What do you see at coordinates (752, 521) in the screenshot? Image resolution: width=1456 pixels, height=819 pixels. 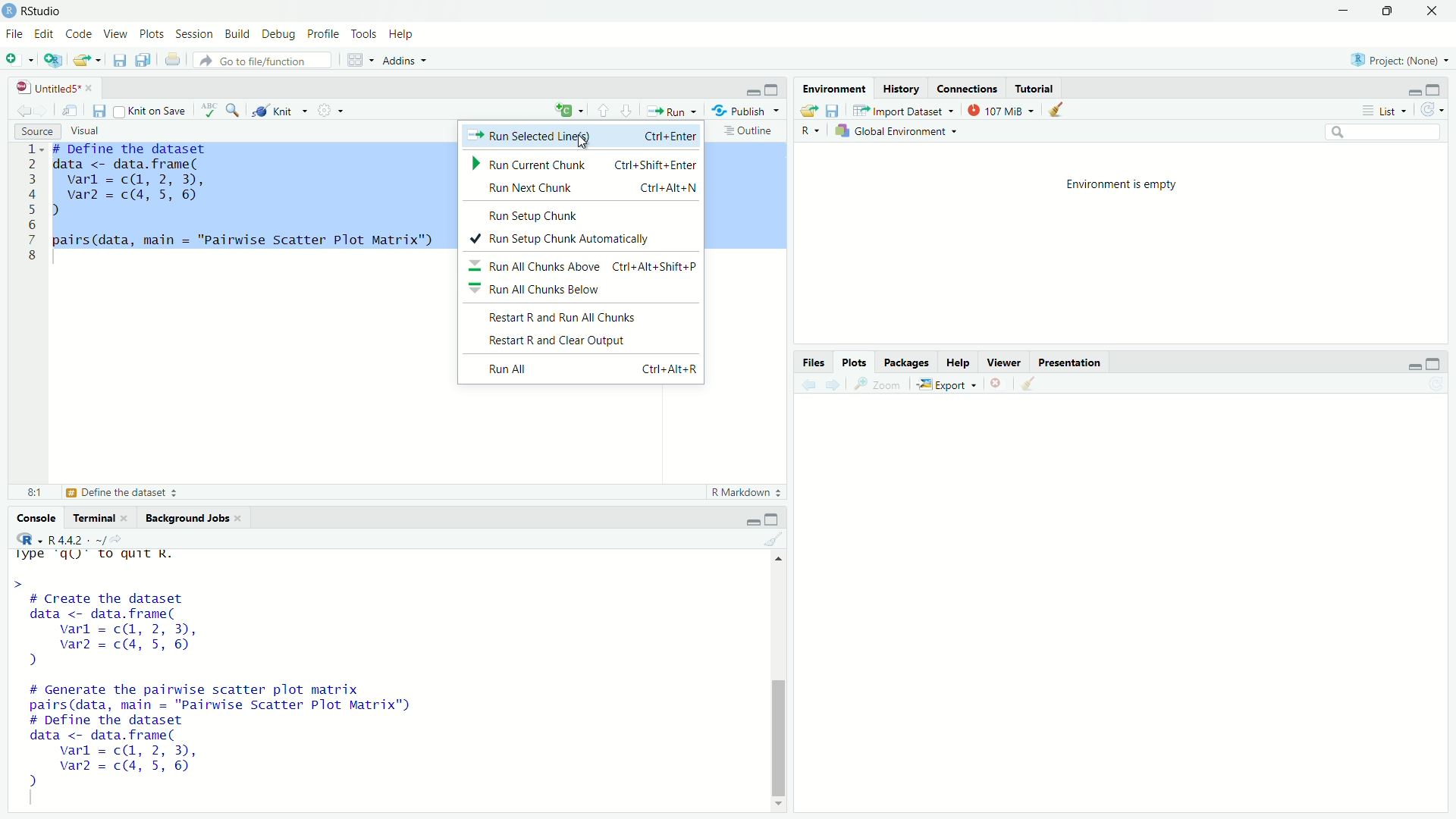 I see `Minimize` at bounding box center [752, 521].